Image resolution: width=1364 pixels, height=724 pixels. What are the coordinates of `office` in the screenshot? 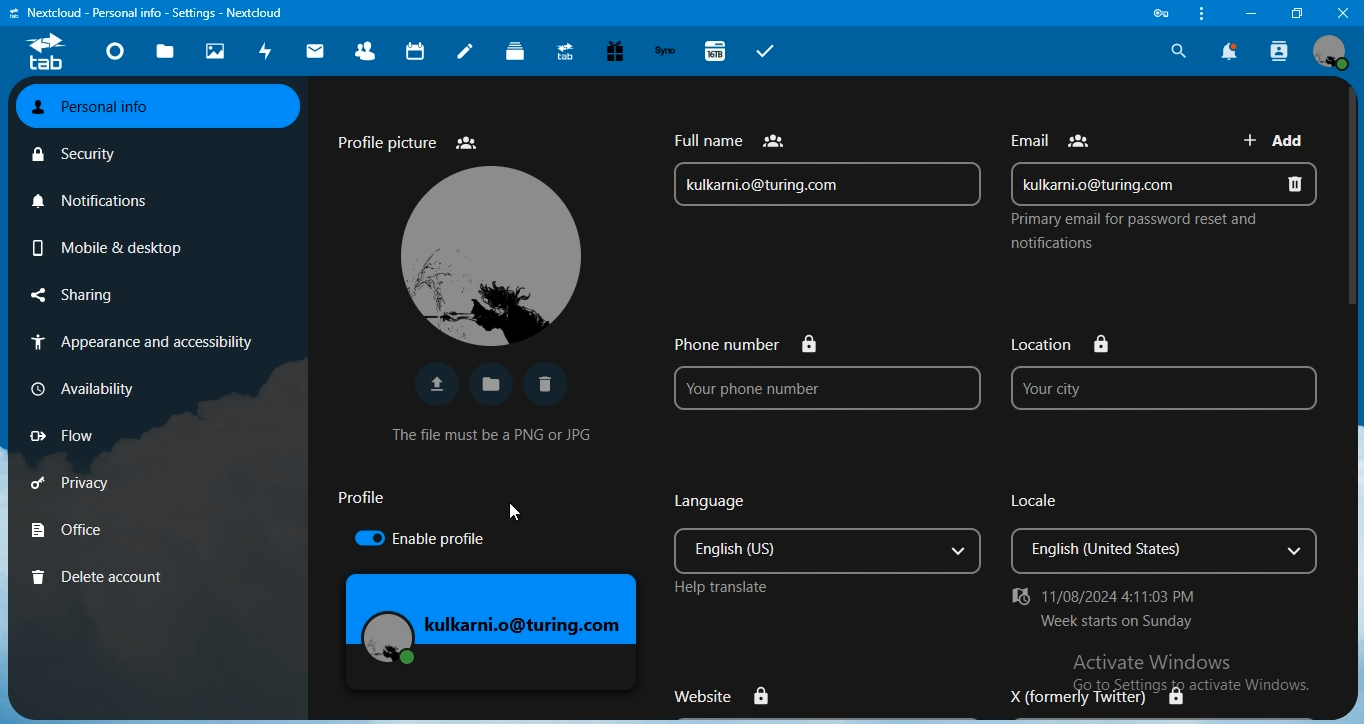 It's located at (70, 528).